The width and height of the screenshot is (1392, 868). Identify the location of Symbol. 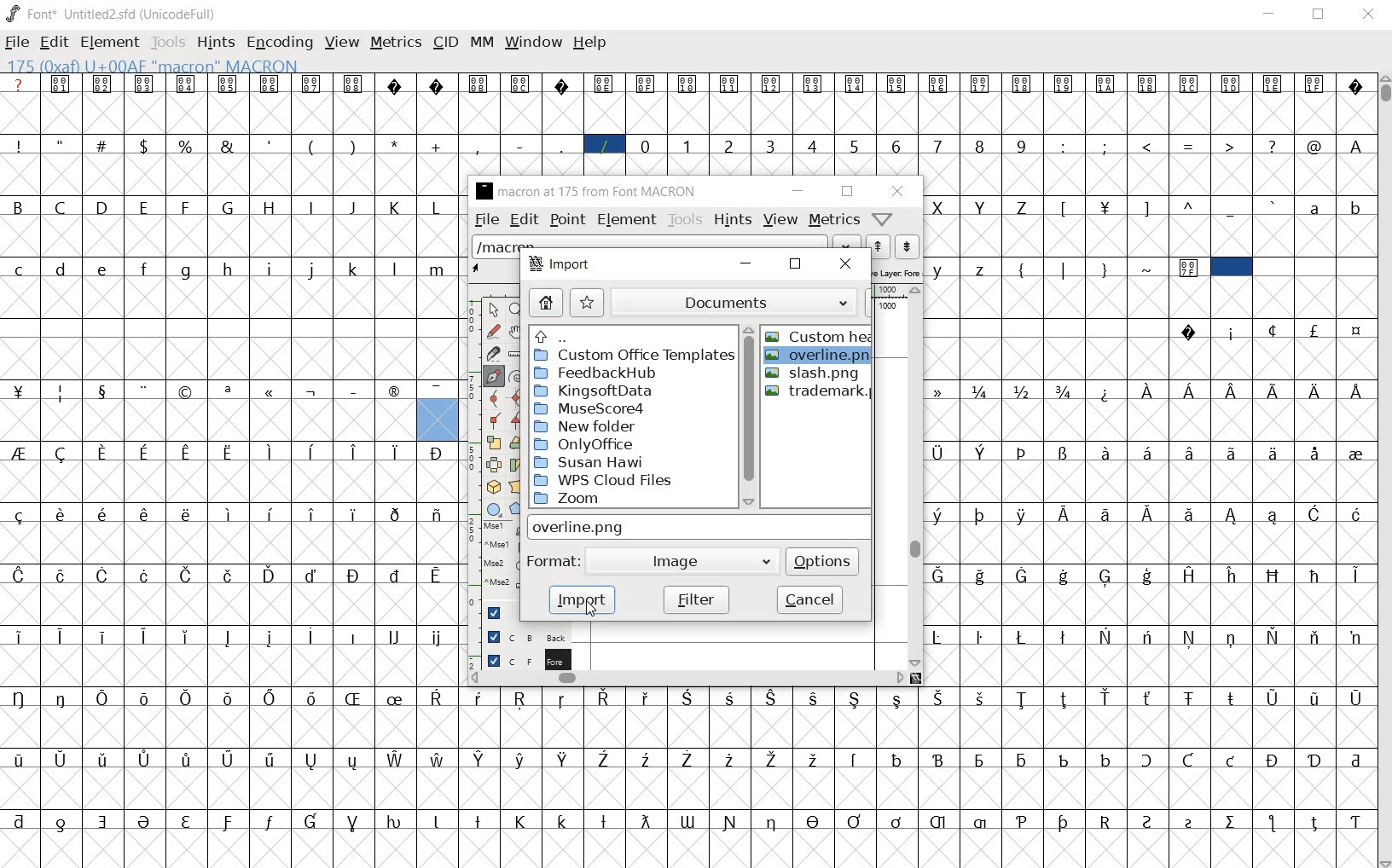
(104, 453).